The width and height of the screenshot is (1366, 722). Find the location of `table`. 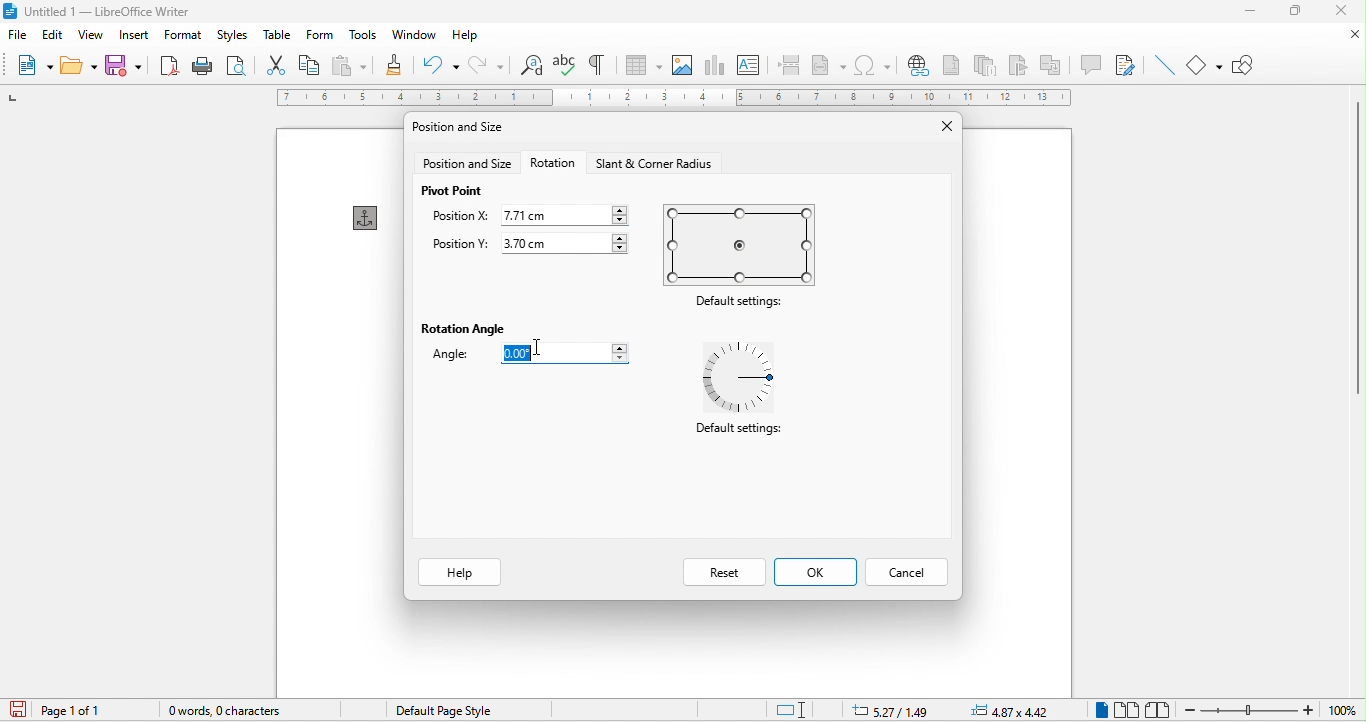

table is located at coordinates (643, 65).